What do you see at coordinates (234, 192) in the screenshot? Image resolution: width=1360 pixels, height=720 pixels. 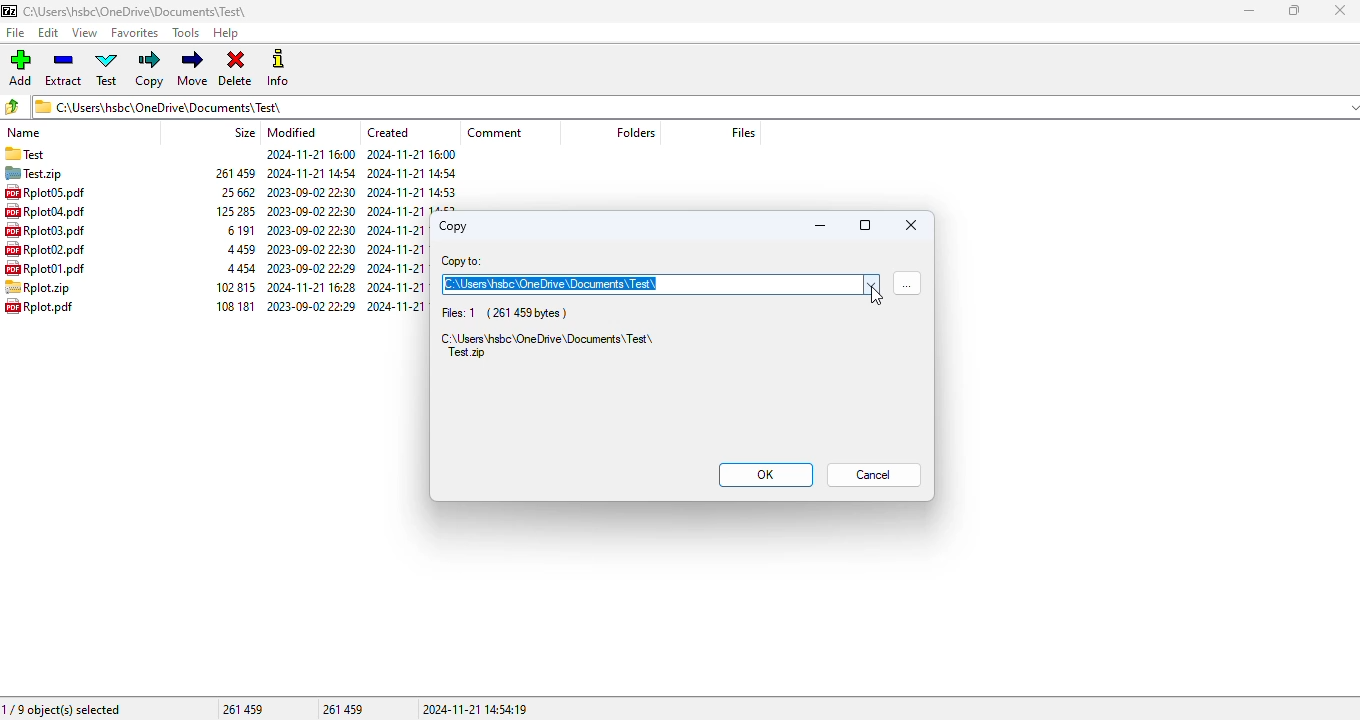 I see `size` at bounding box center [234, 192].